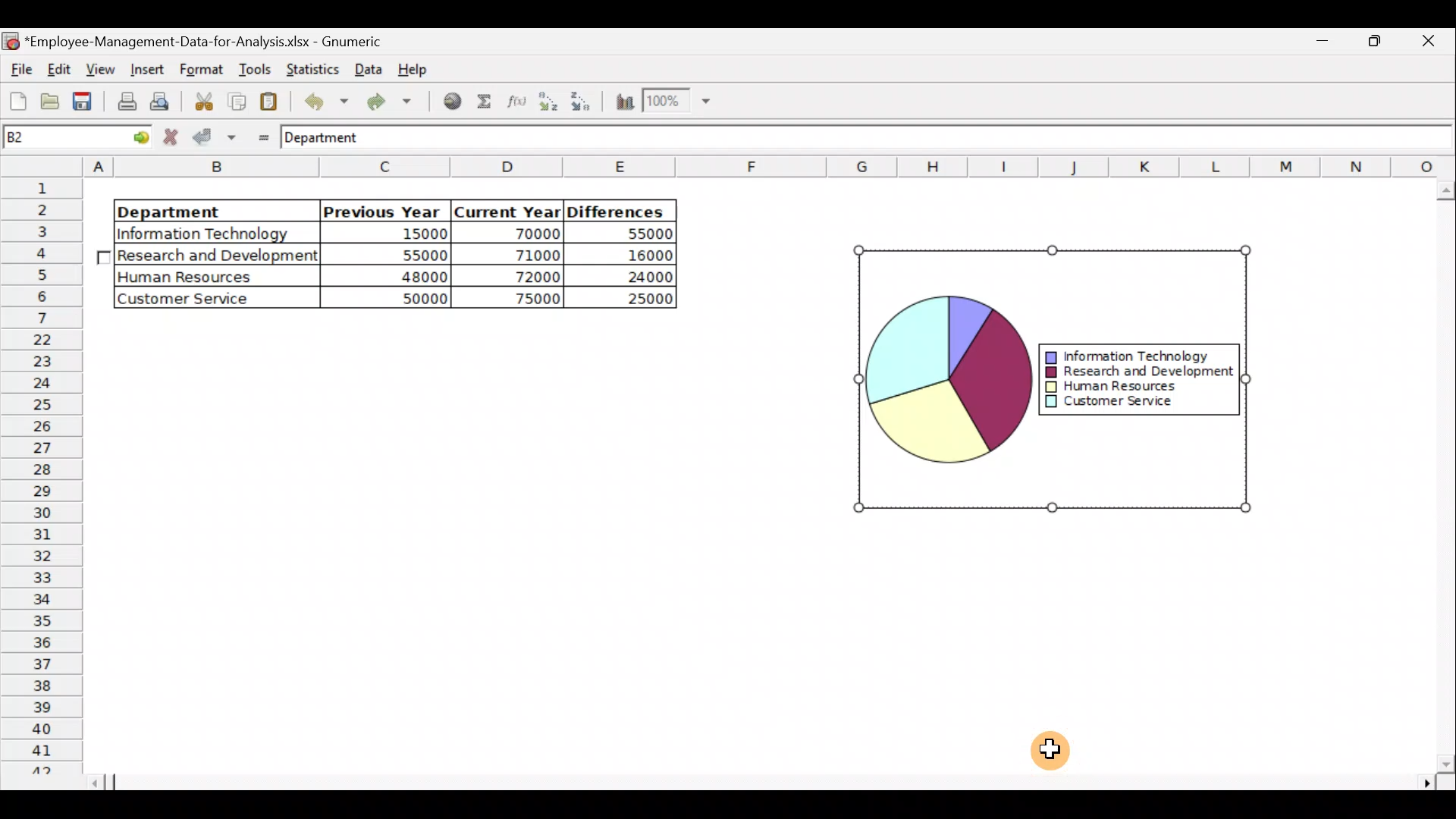 Image resolution: width=1456 pixels, height=819 pixels. Describe the element at coordinates (201, 299) in the screenshot. I see `Customer Service` at that location.